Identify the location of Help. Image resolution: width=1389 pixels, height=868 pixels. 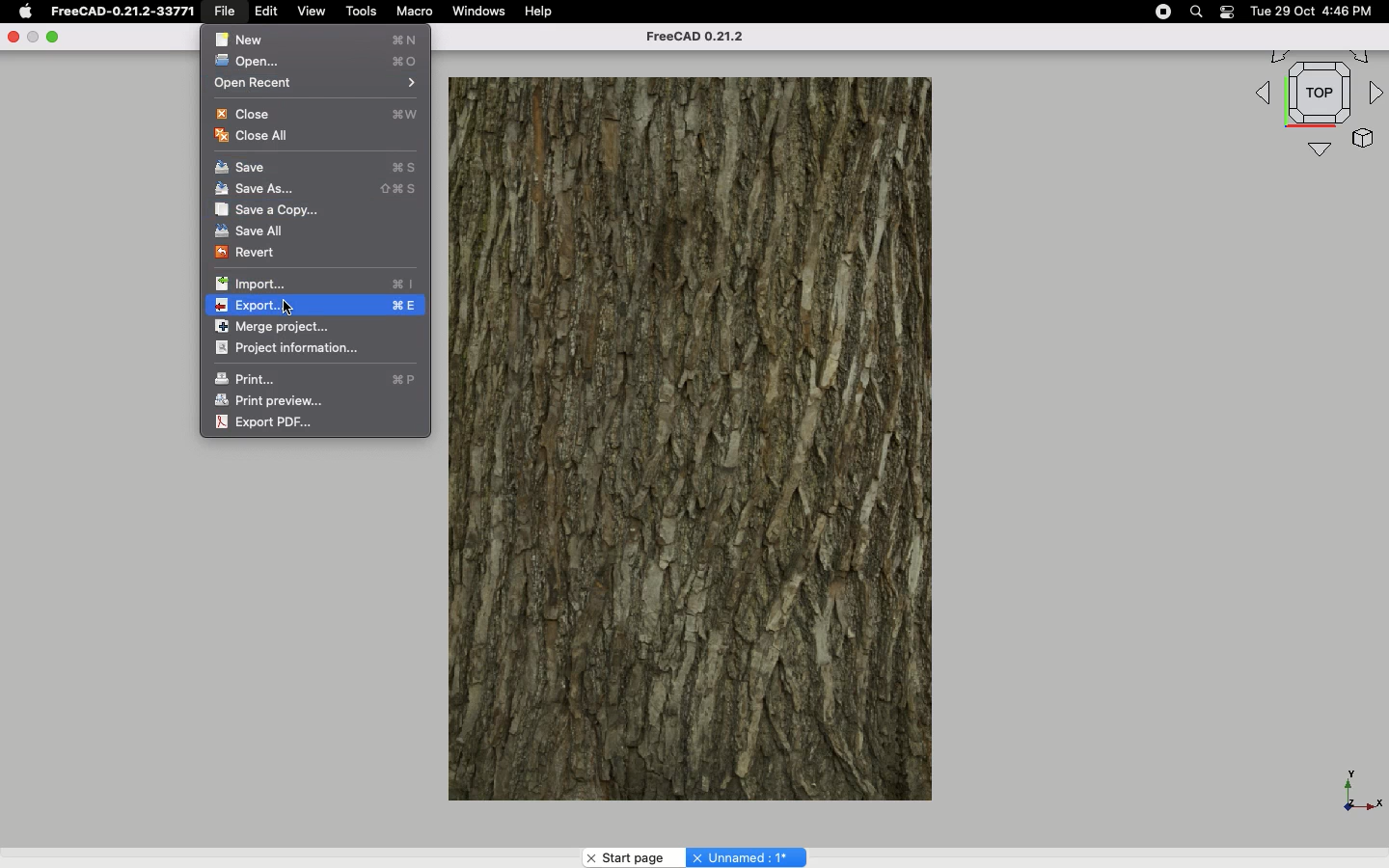
(540, 12).